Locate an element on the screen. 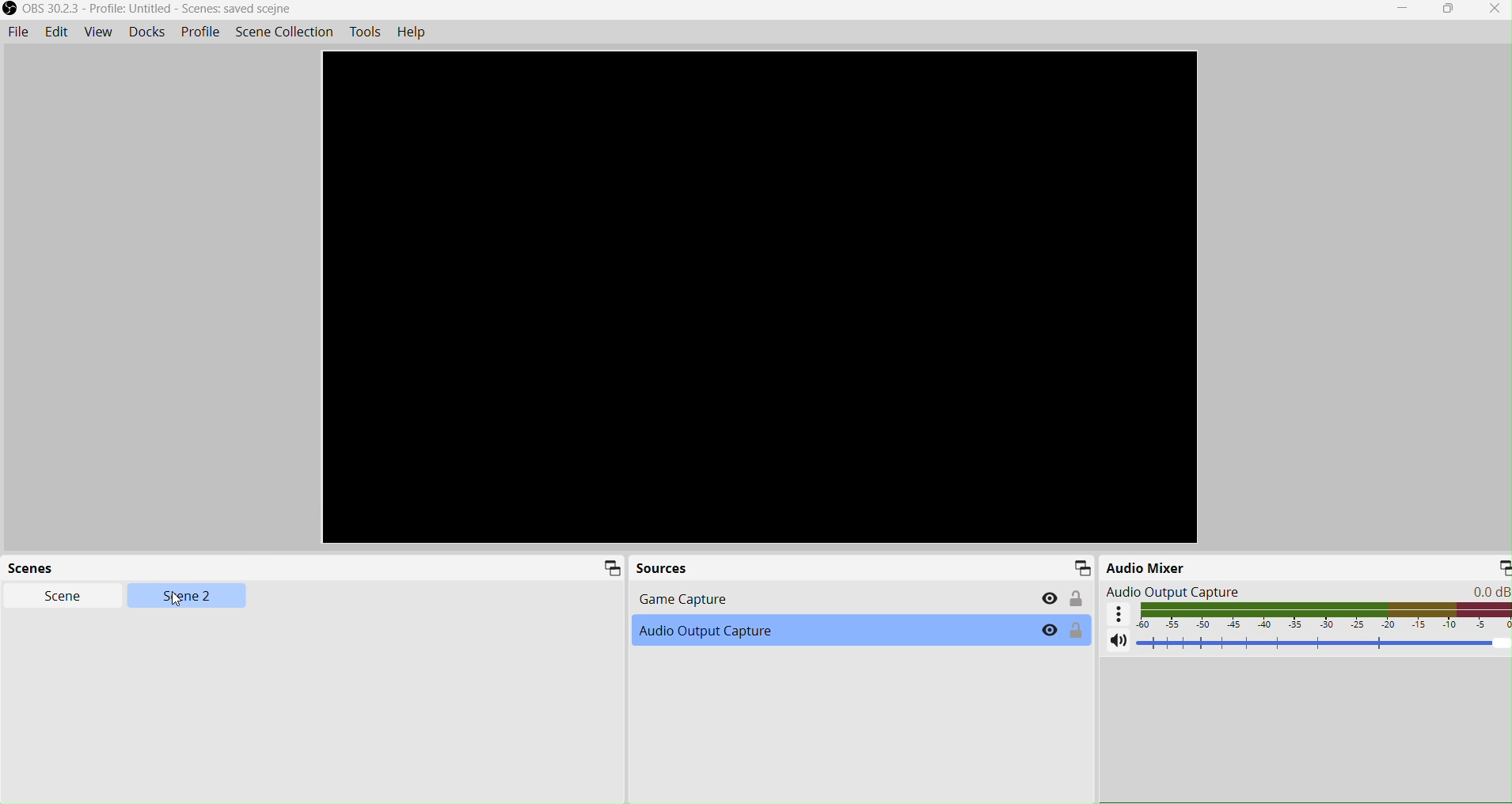  Close is located at coordinates (1493, 9).